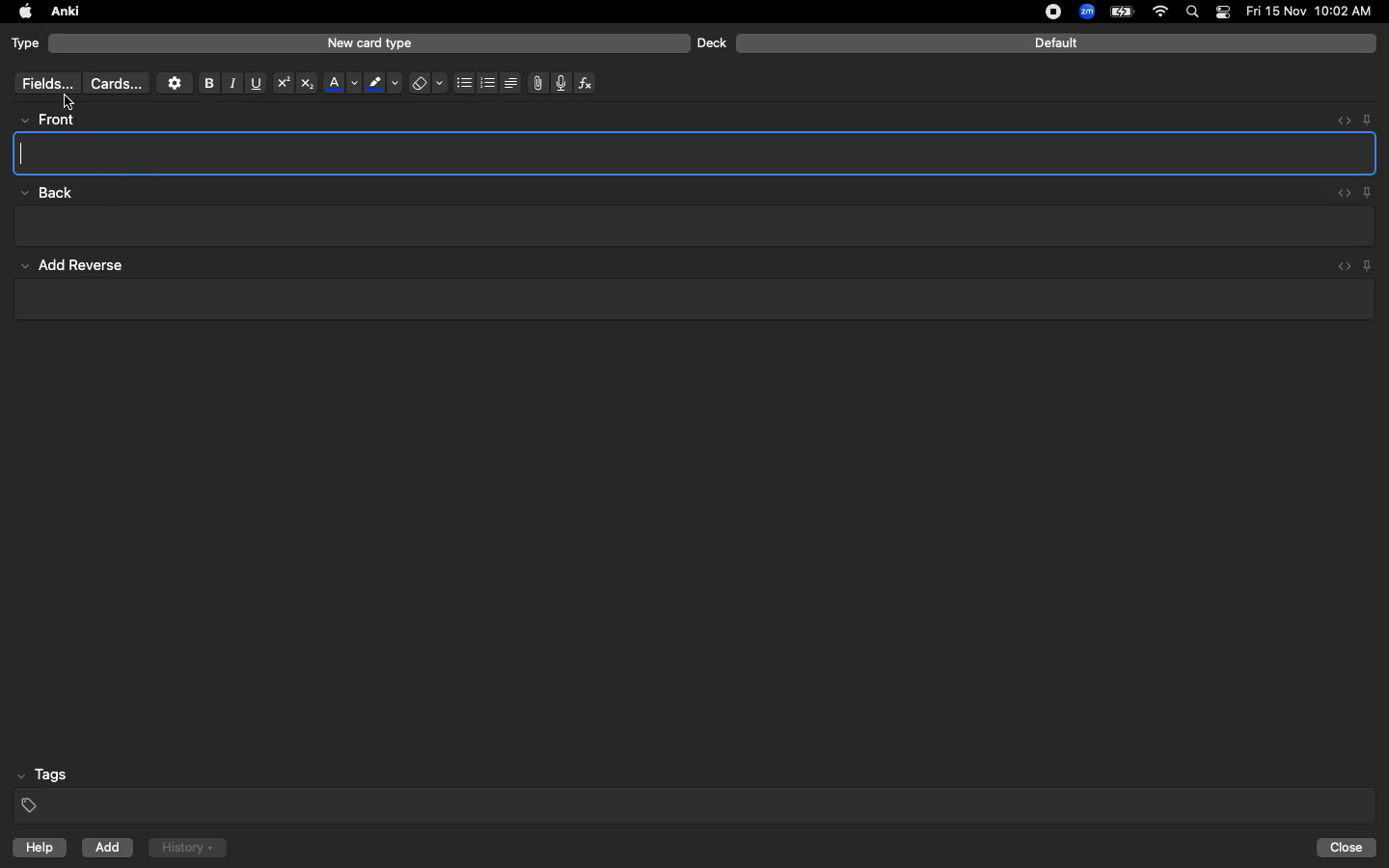  I want to click on Numbered bullets, so click(488, 83).